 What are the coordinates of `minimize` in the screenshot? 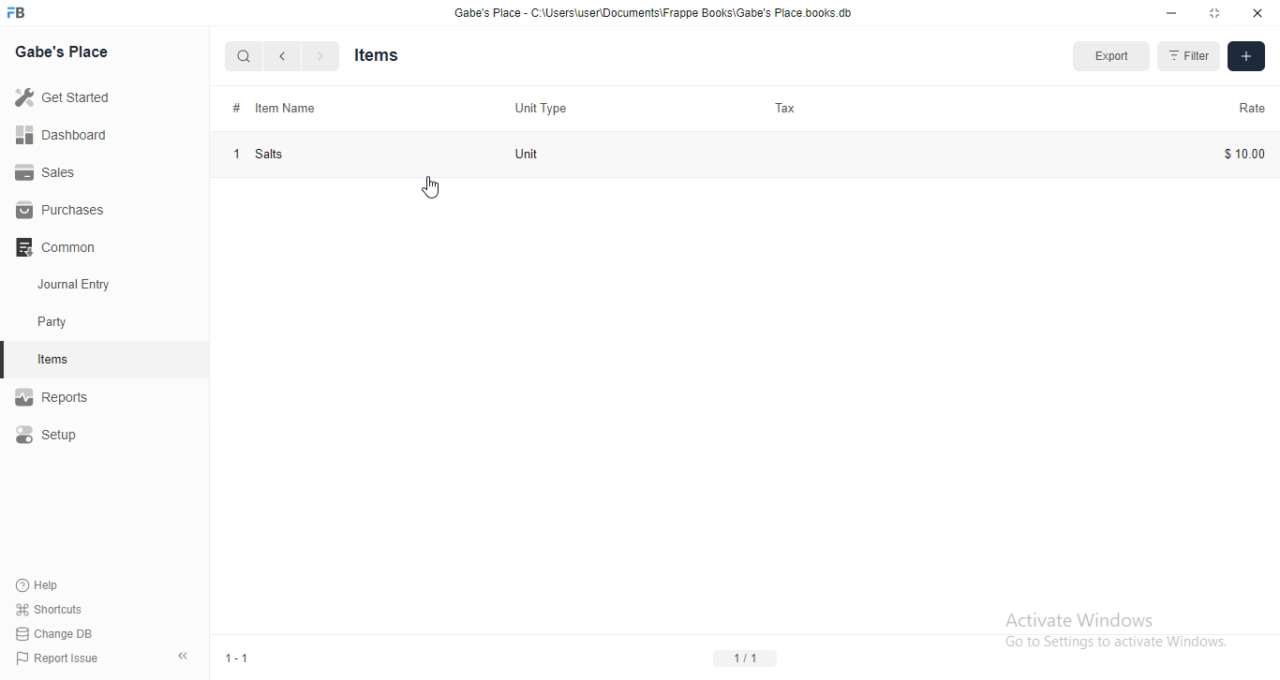 It's located at (1171, 14).